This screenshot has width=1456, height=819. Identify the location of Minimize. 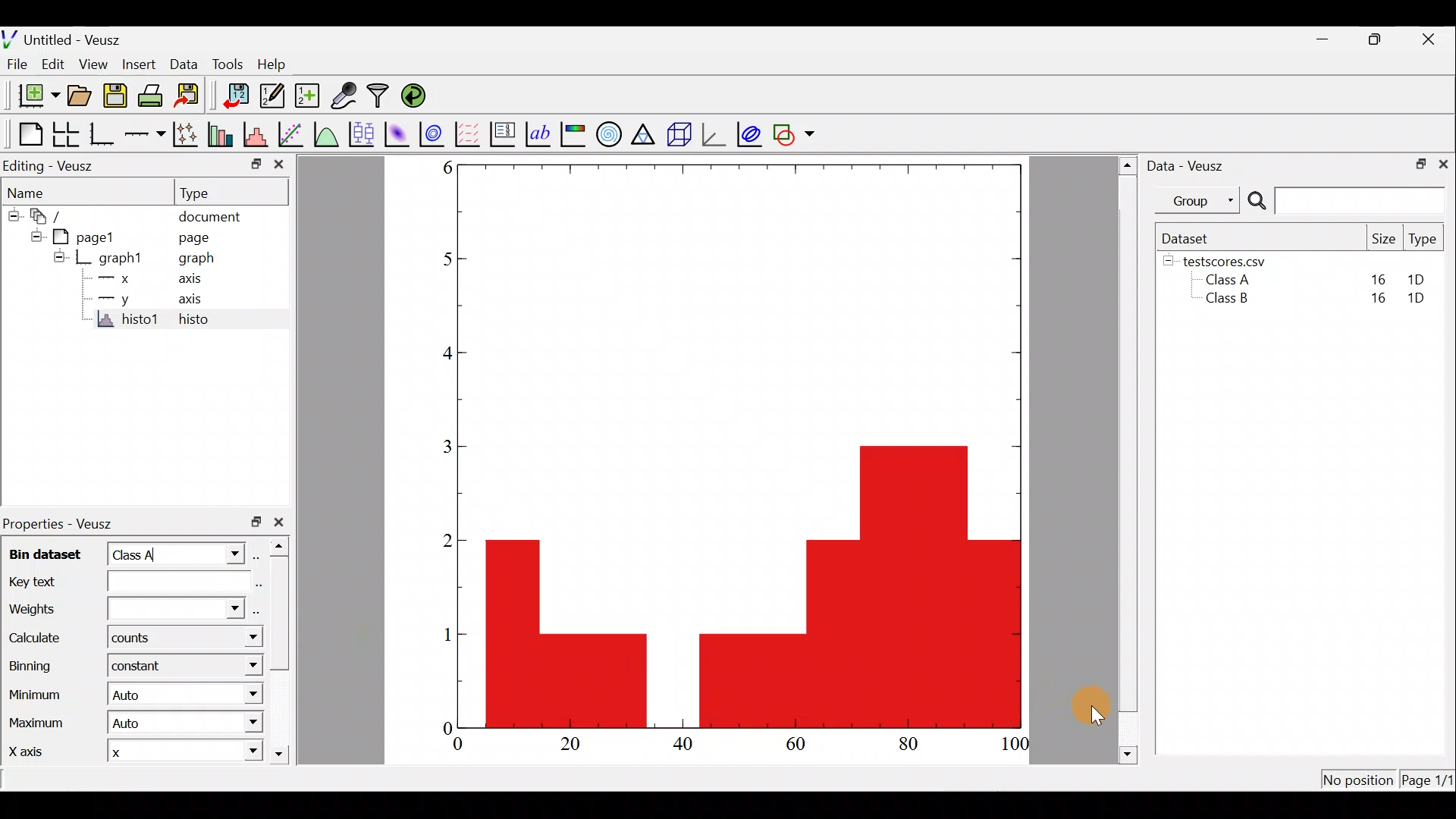
(1323, 39).